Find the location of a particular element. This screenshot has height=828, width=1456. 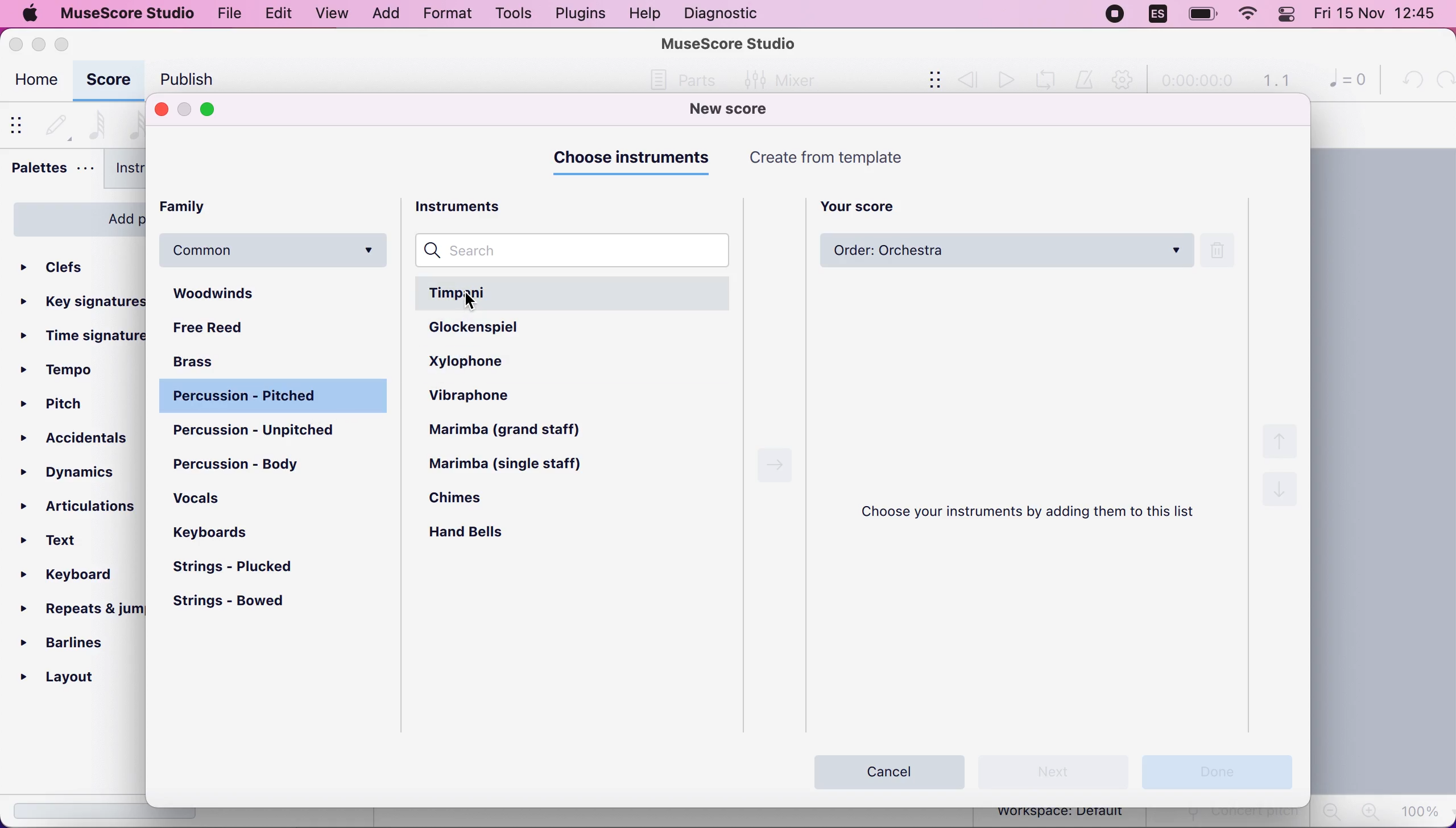

keyboards is located at coordinates (213, 533).